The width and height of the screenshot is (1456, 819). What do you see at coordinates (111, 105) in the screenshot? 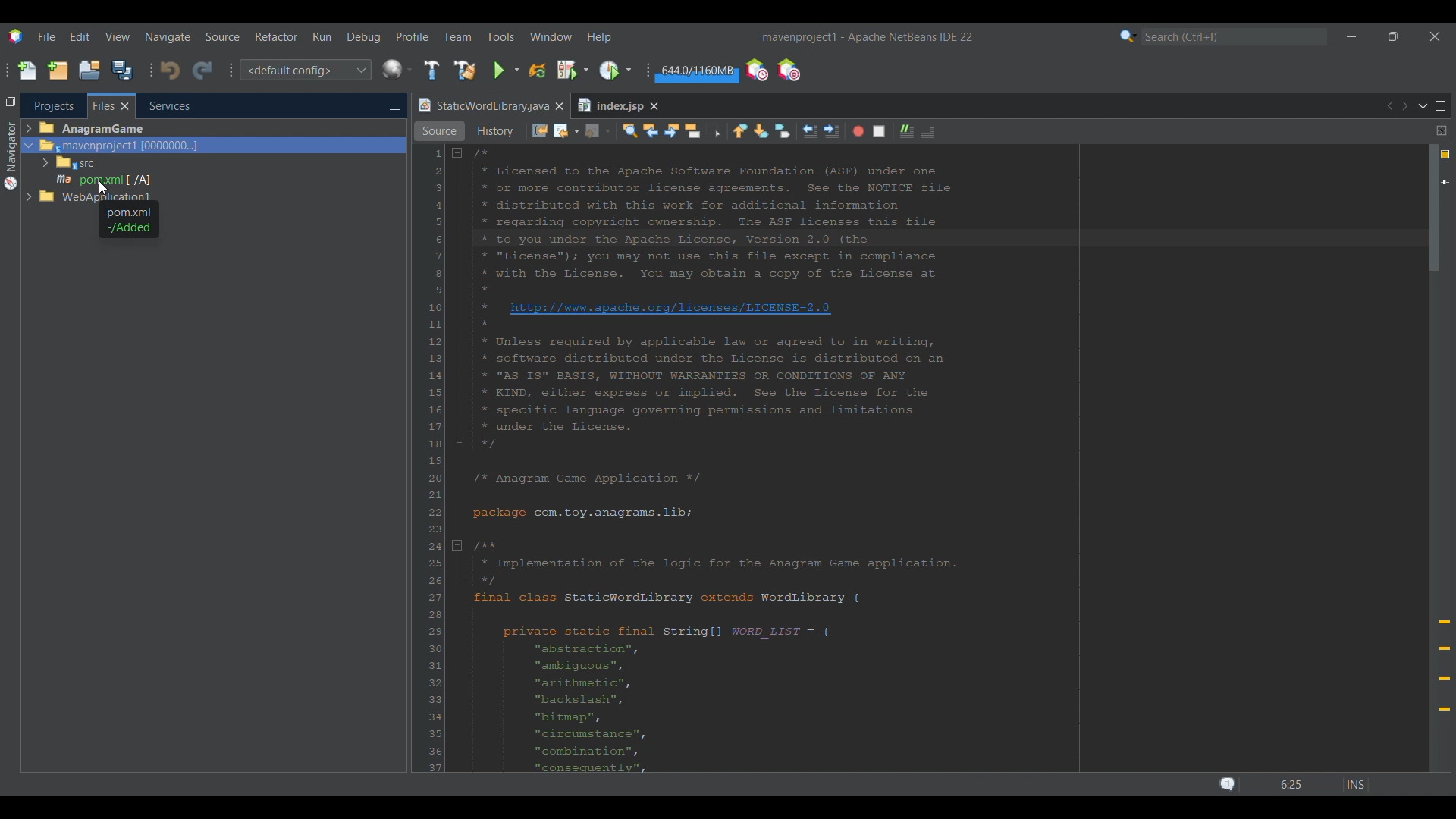
I see `Current selection highlighted` at bounding box center [111, 105].